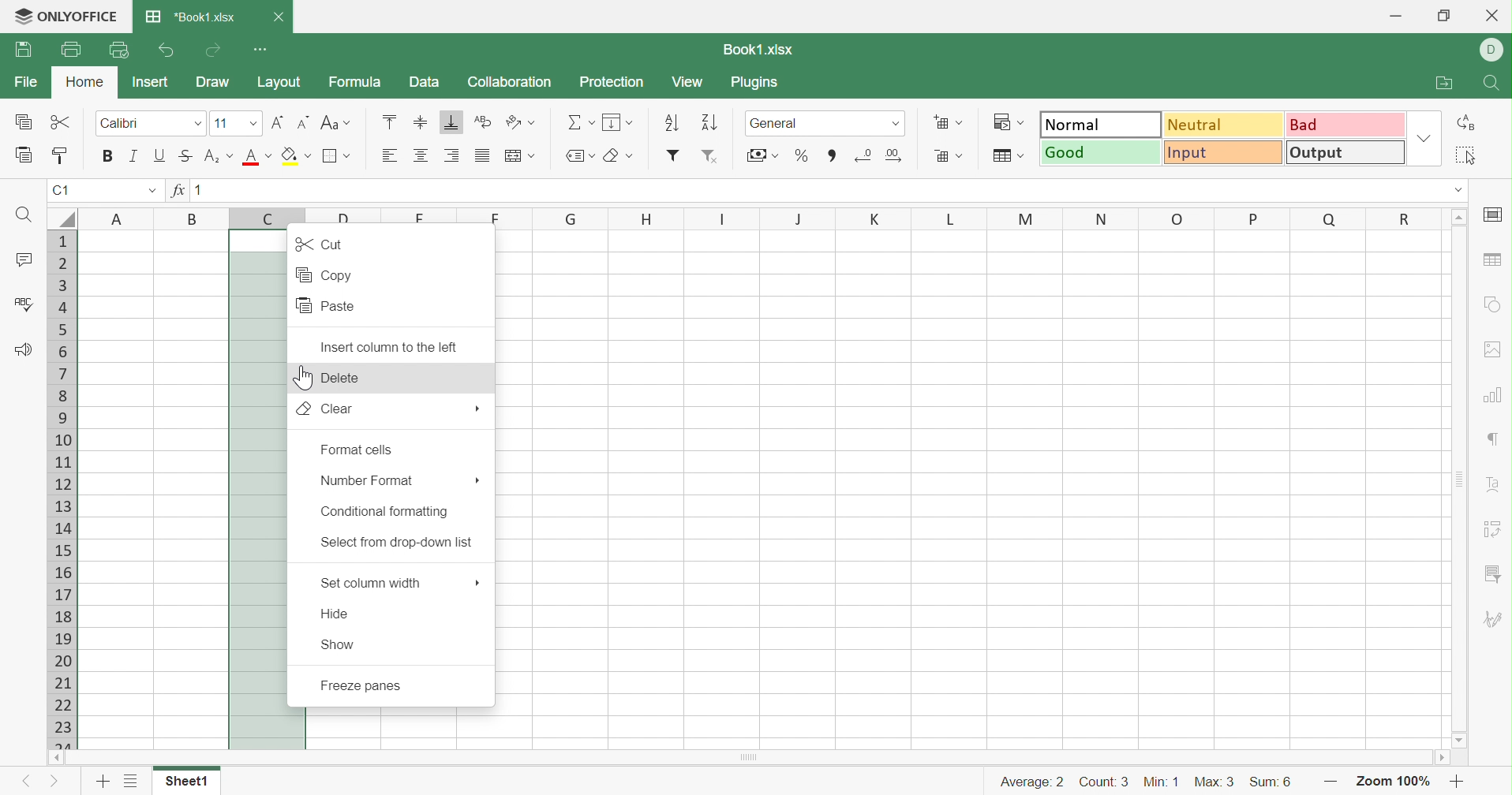  What do you see at coordinates (67, 16) in the screenshot?
I see `ONLYOFFICE` at bounding box center [67, 16].